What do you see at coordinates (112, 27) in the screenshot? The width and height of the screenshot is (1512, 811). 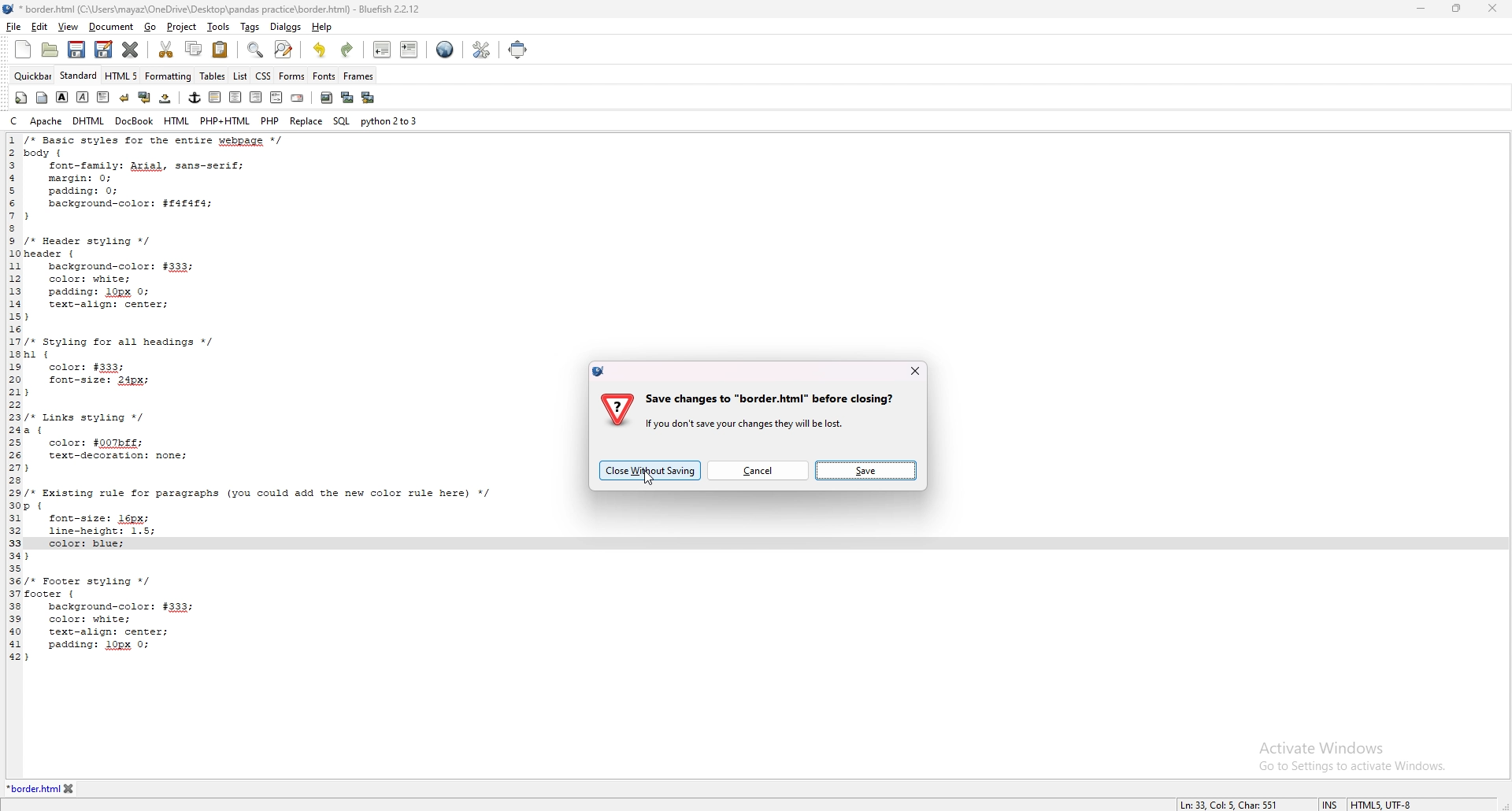 I see `document` at bounding box center [112, 27].